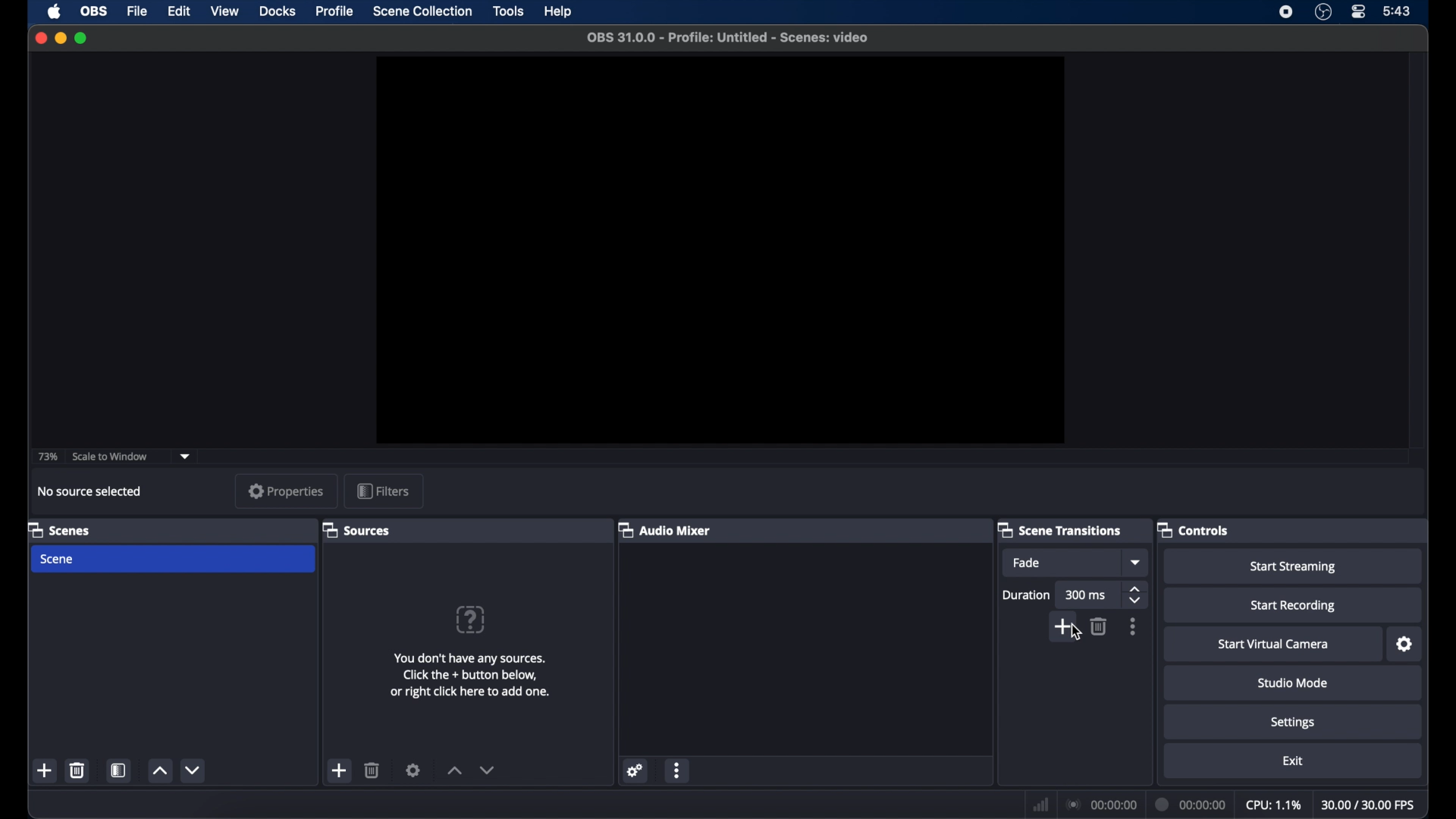 This screenshot has height=819, width=1456. I want to click on settings, so click(1404, 645).